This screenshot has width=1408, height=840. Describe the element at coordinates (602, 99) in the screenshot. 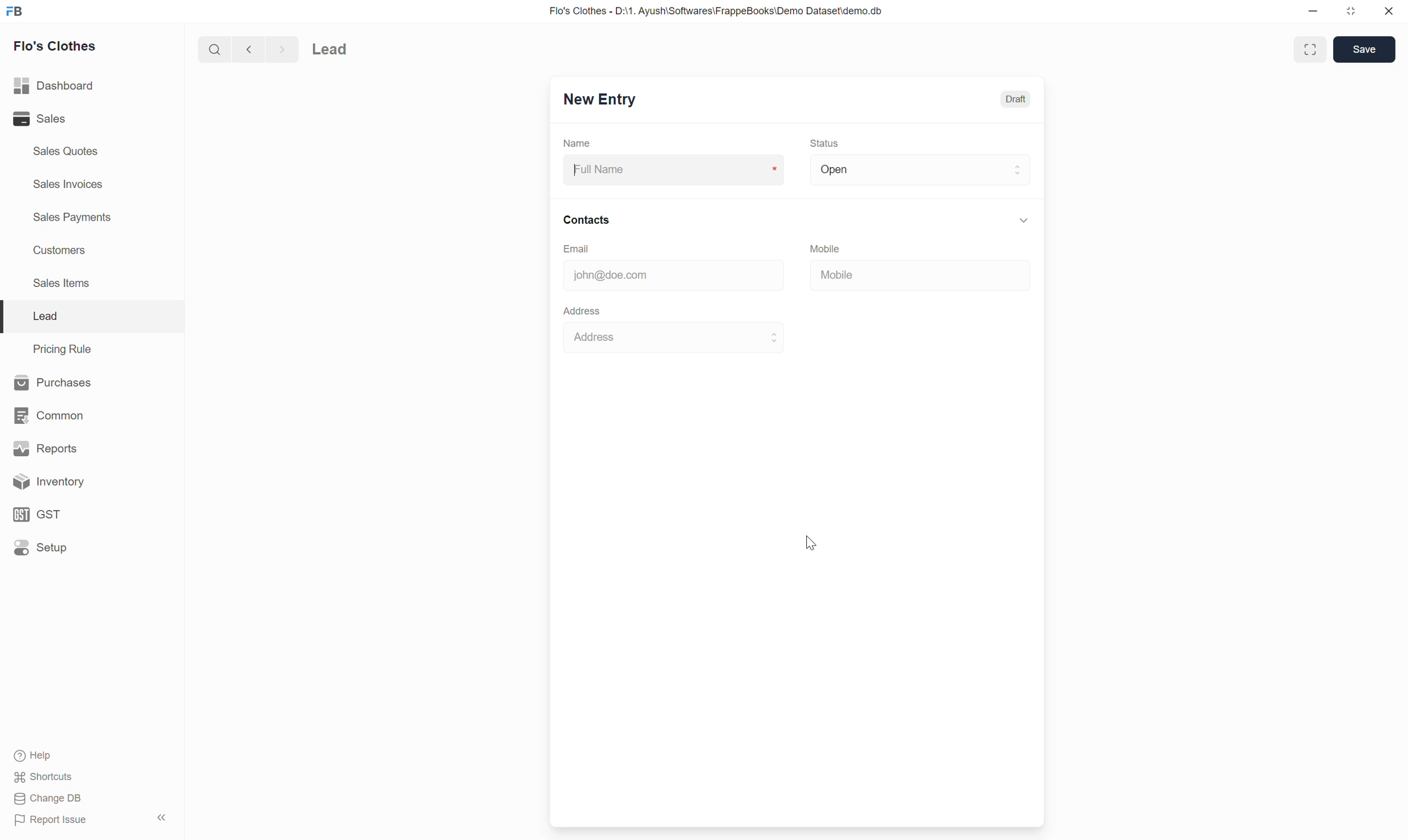

I see `New Entry` at that location.